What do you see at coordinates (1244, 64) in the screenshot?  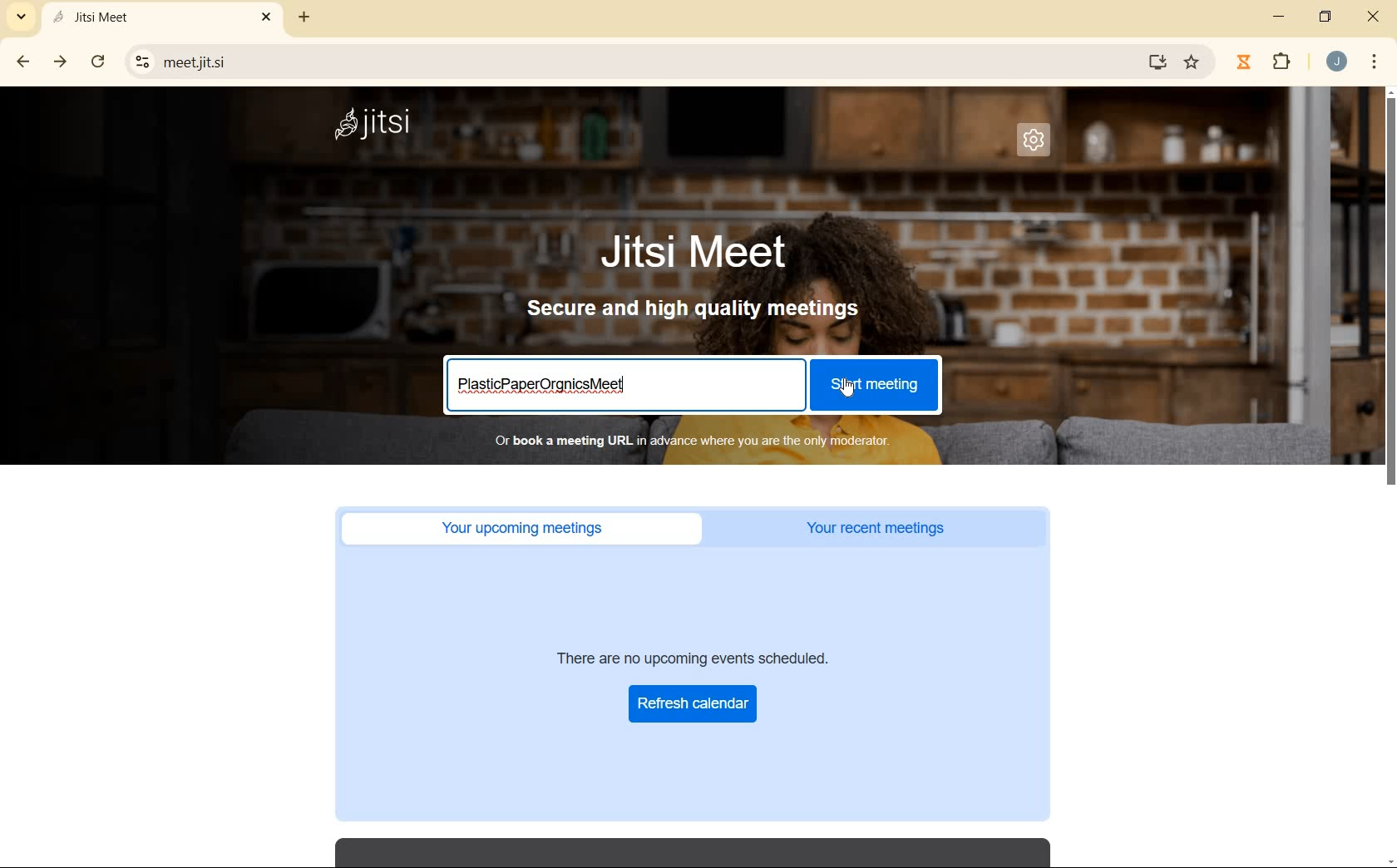 I see `Jibble` at bounding box center [1244, 64].